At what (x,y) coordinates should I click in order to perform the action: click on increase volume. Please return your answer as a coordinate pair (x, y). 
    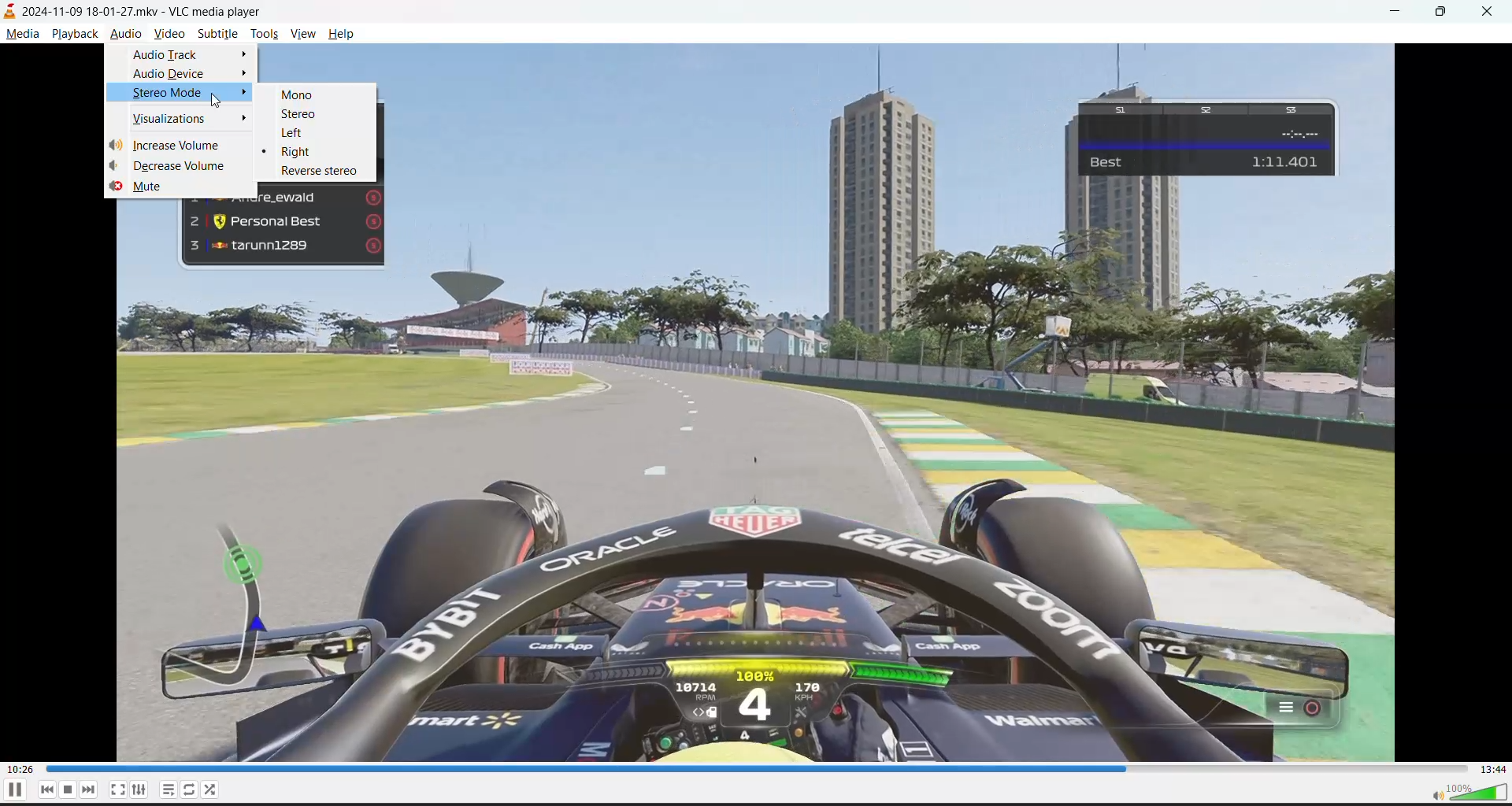
    Looking at the image, I should click on (166, 146).